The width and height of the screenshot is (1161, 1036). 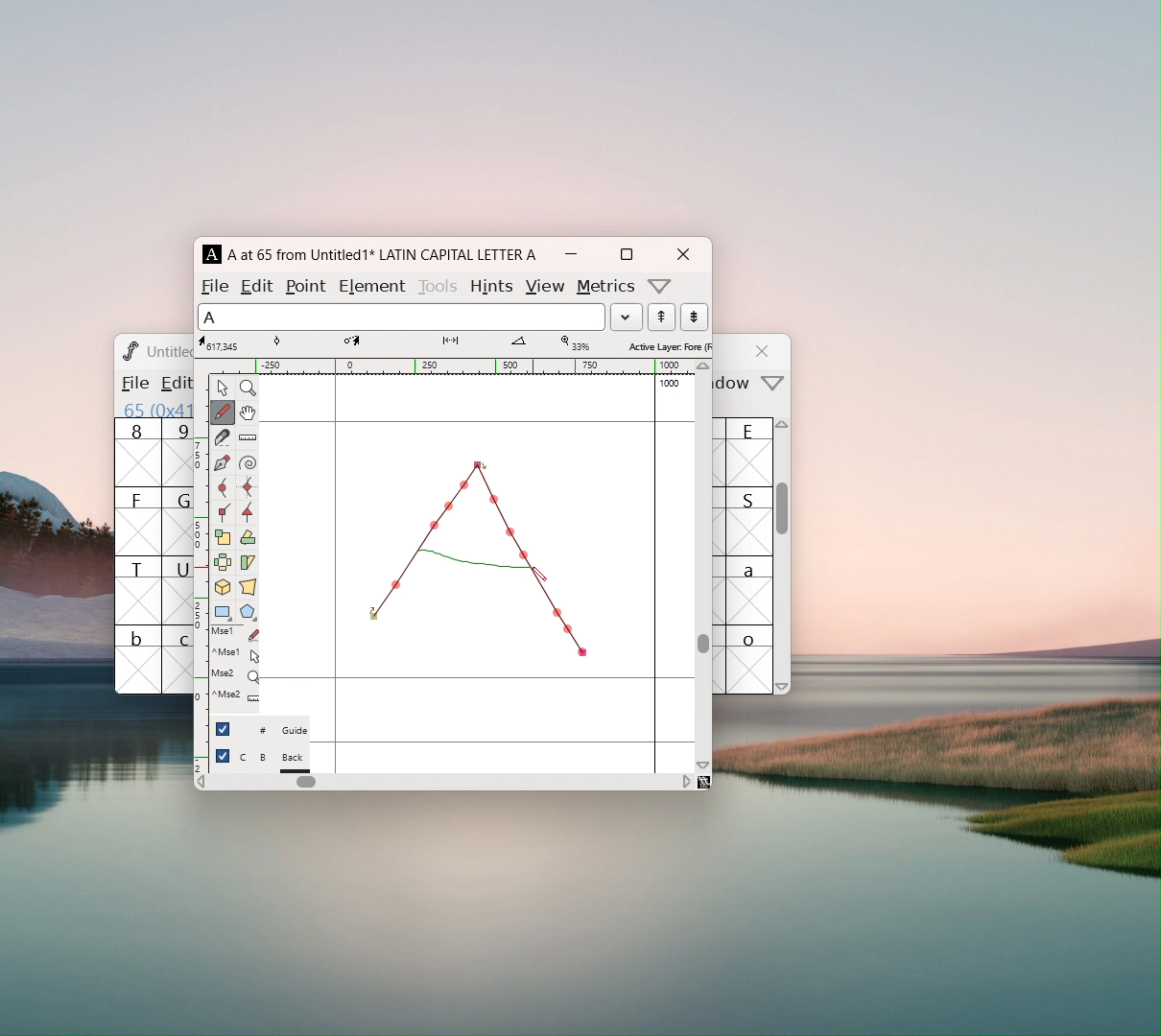 What do you see at coordinates (682, 254) in the screenshot?
I see `close` at bounding box center [682, 254].